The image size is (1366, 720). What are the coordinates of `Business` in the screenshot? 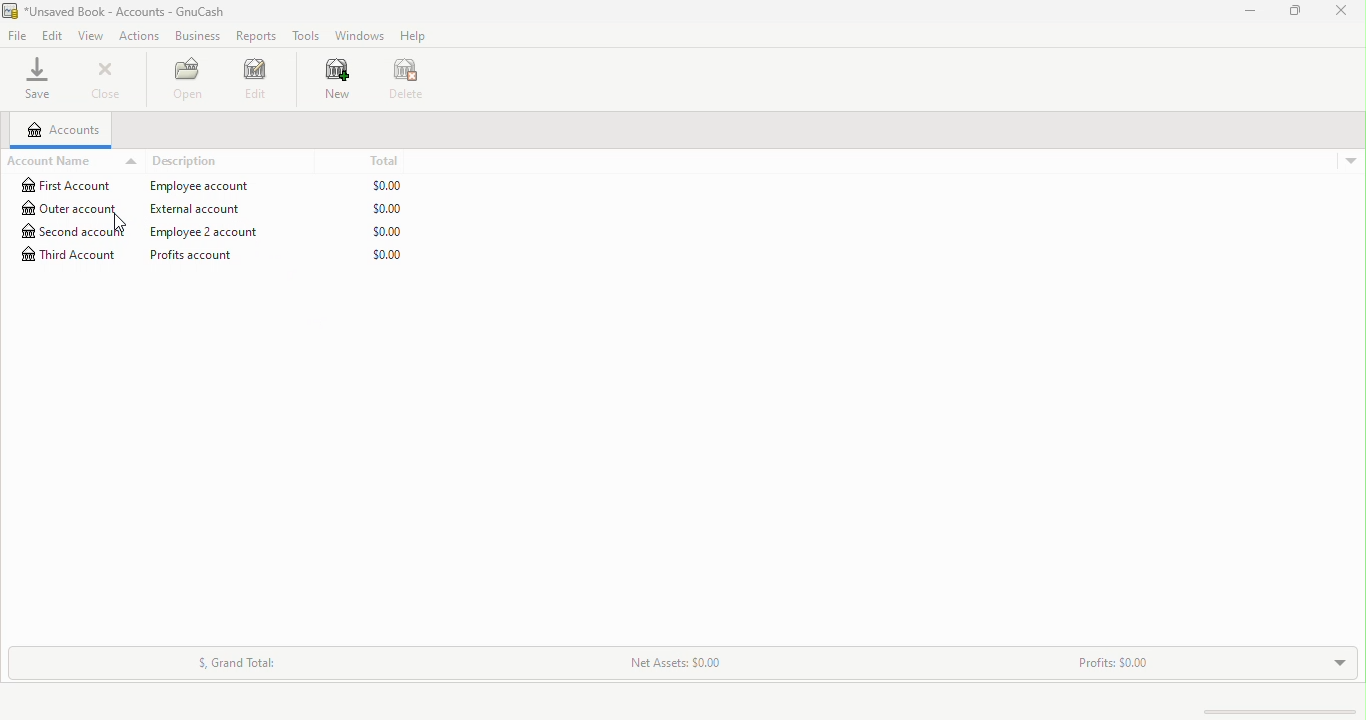 It's located at (195, 36).